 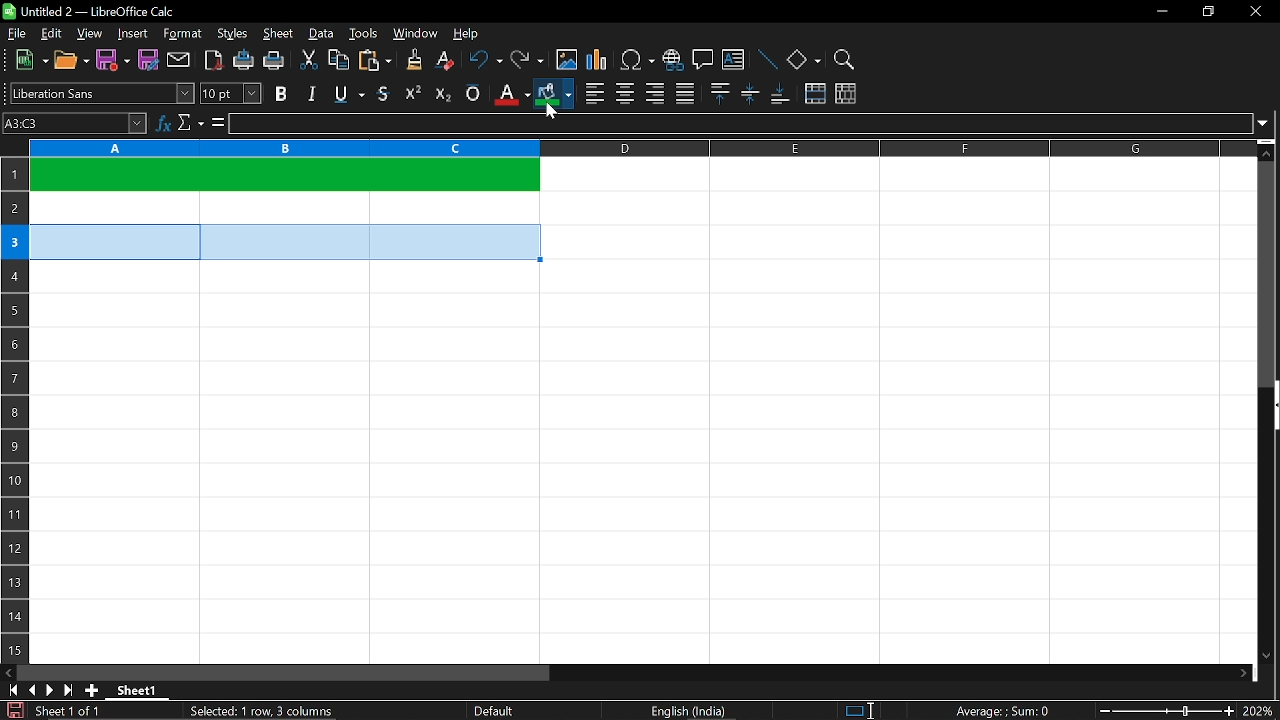 I want to click on print directly, so click(x=242, y=61).